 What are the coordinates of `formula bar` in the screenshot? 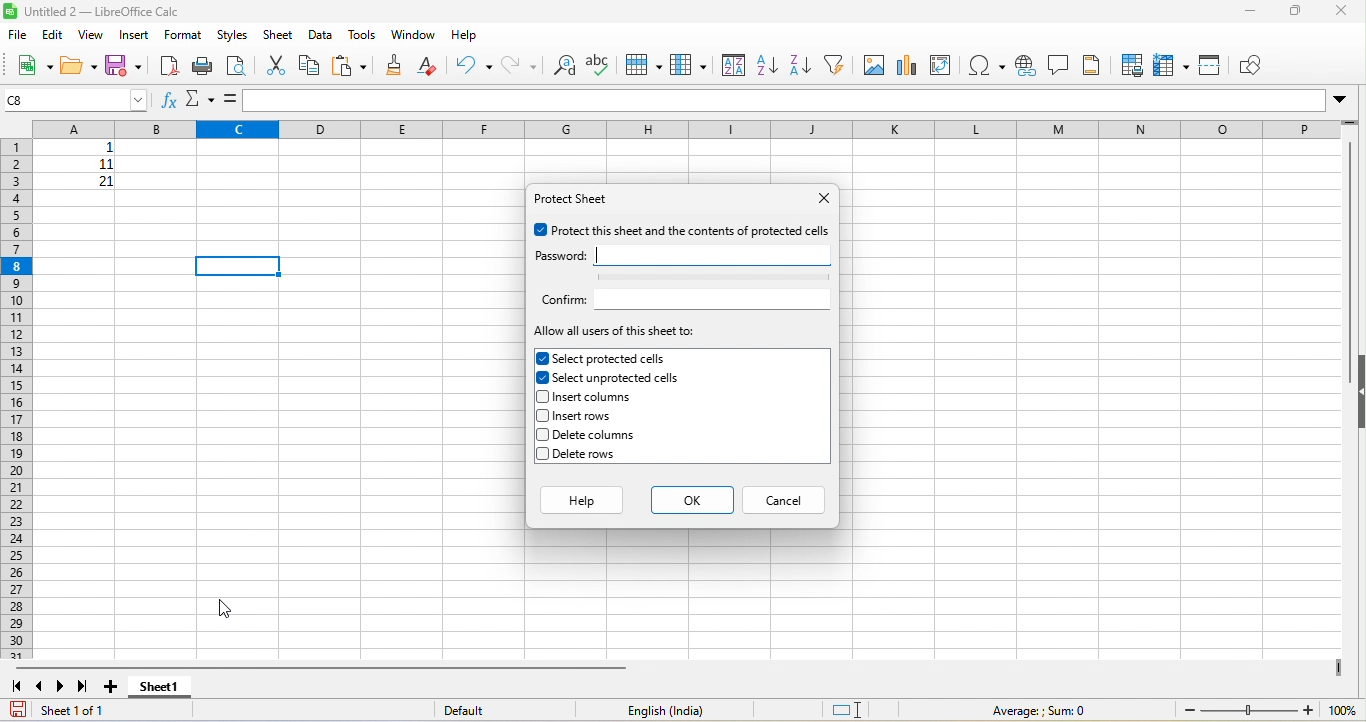 It's located at (797, 101).